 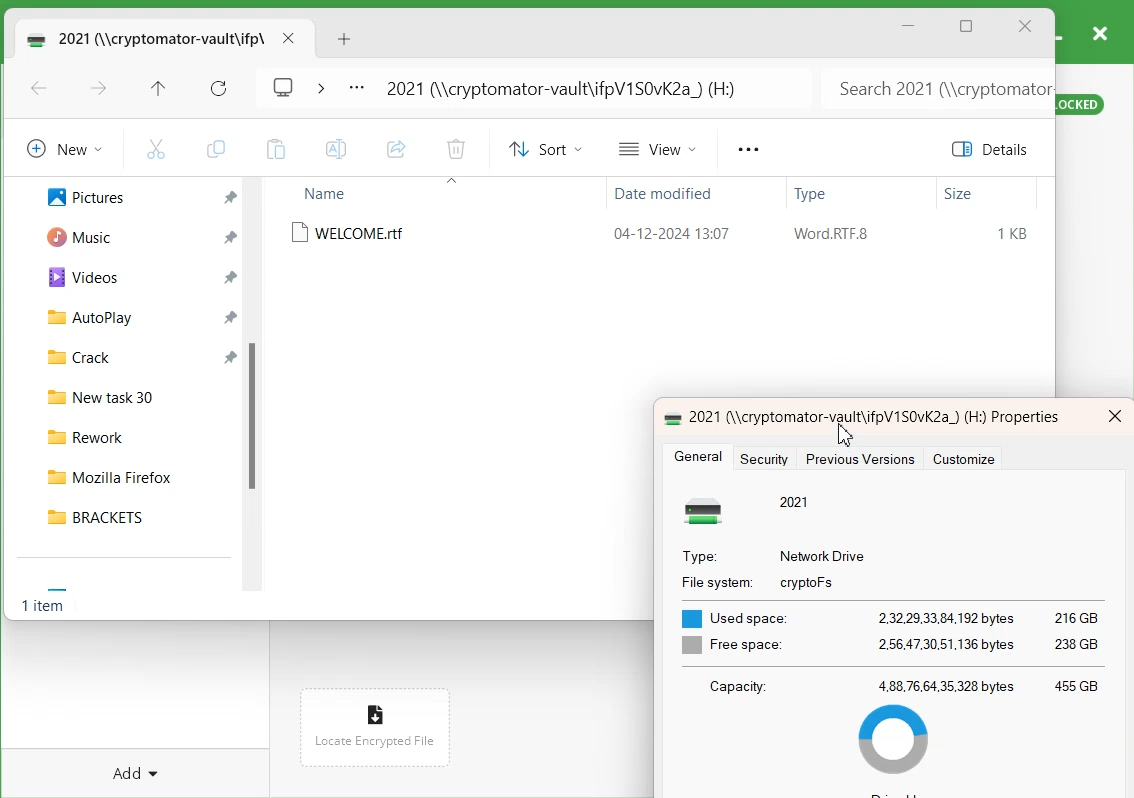 What do you see at coordinates (810, 582) in the screenshot?
I see `-ryplors` at bounding box center [810, 582].